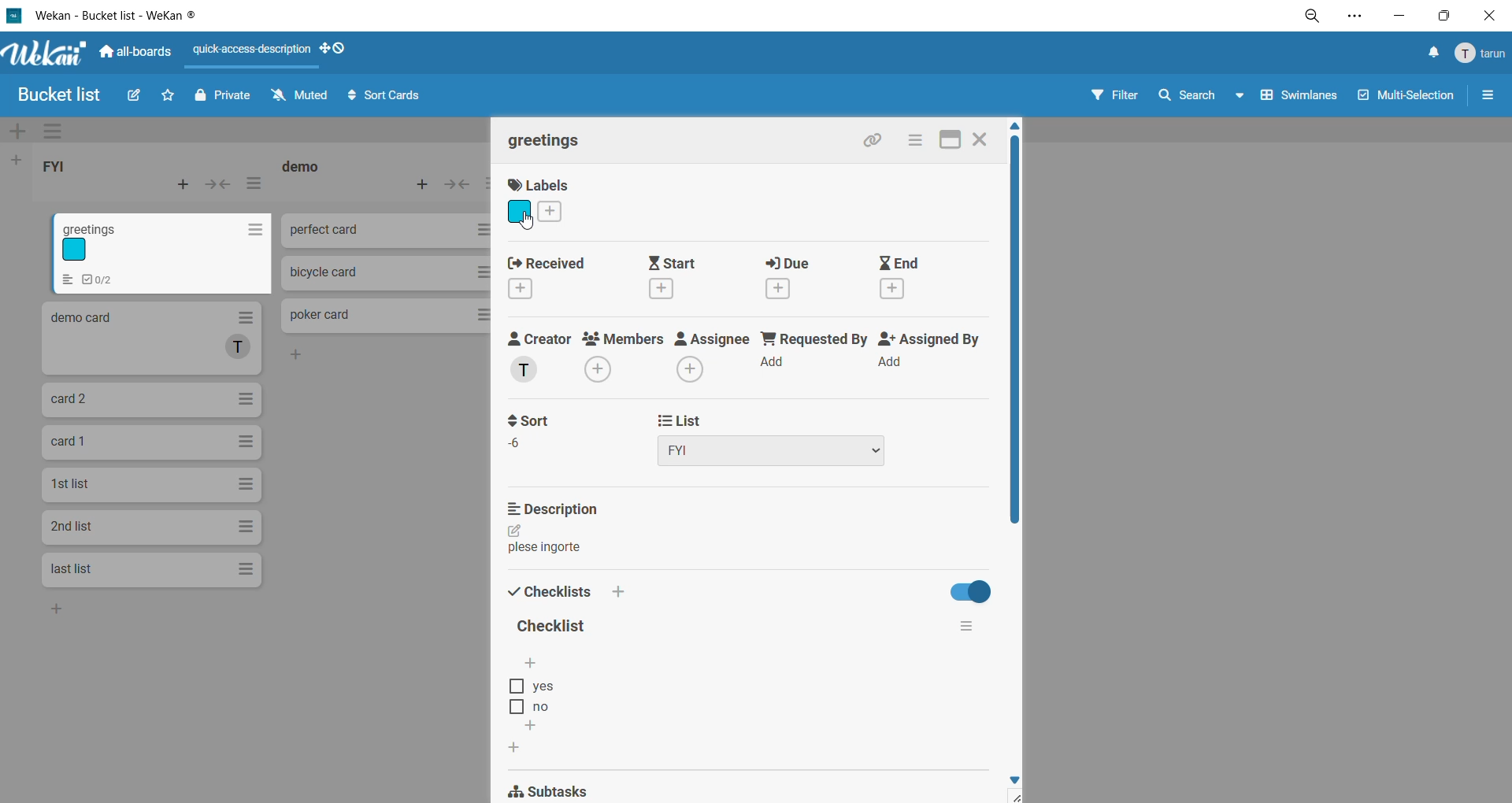 The height and width of the screenshot is (803, 1512). Describe the element at coordinates (515, 749) in the screenshot. I see `add checklist` at that location.